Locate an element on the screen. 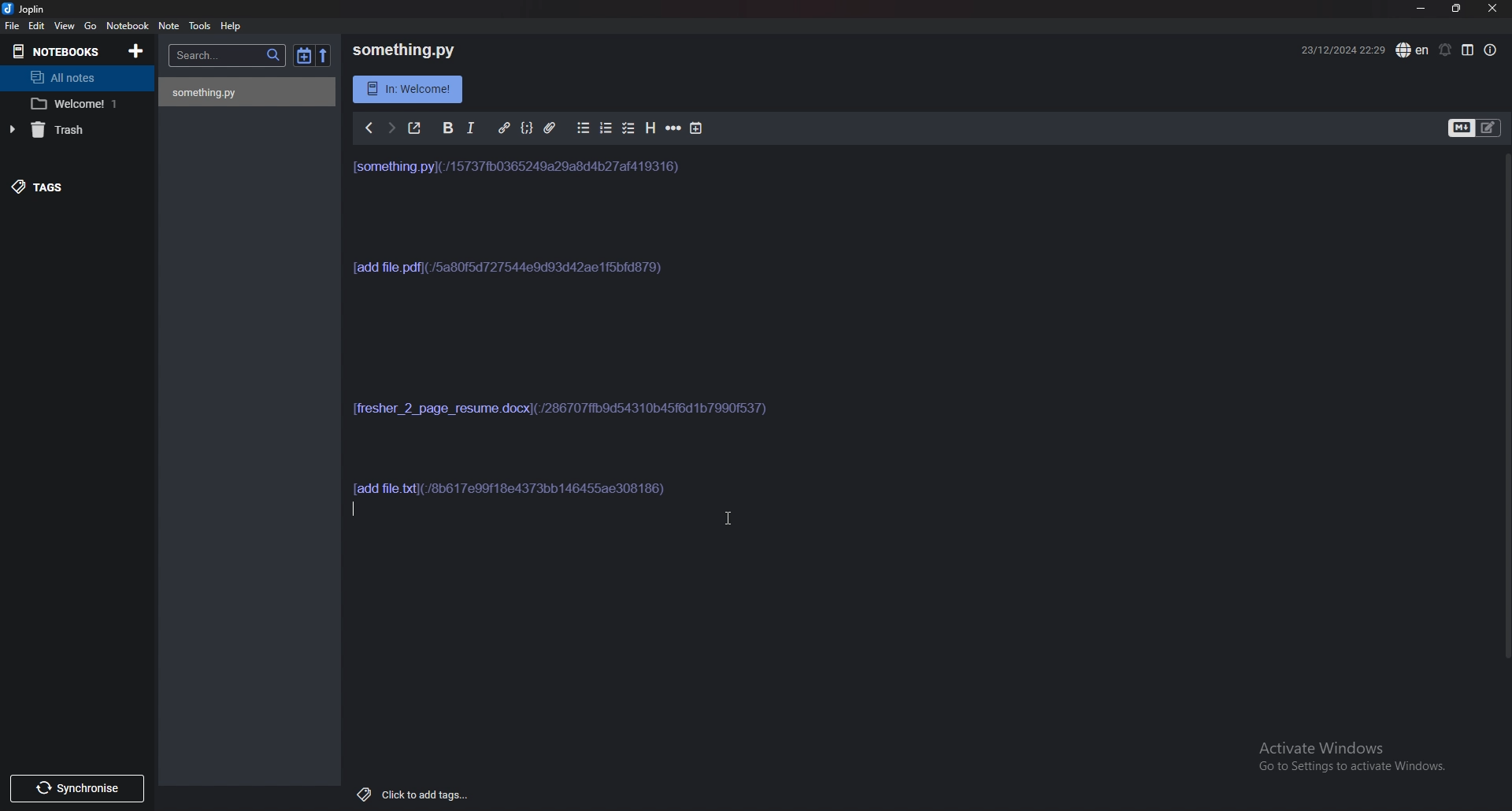  joplin is located at coordinates (37, 9).